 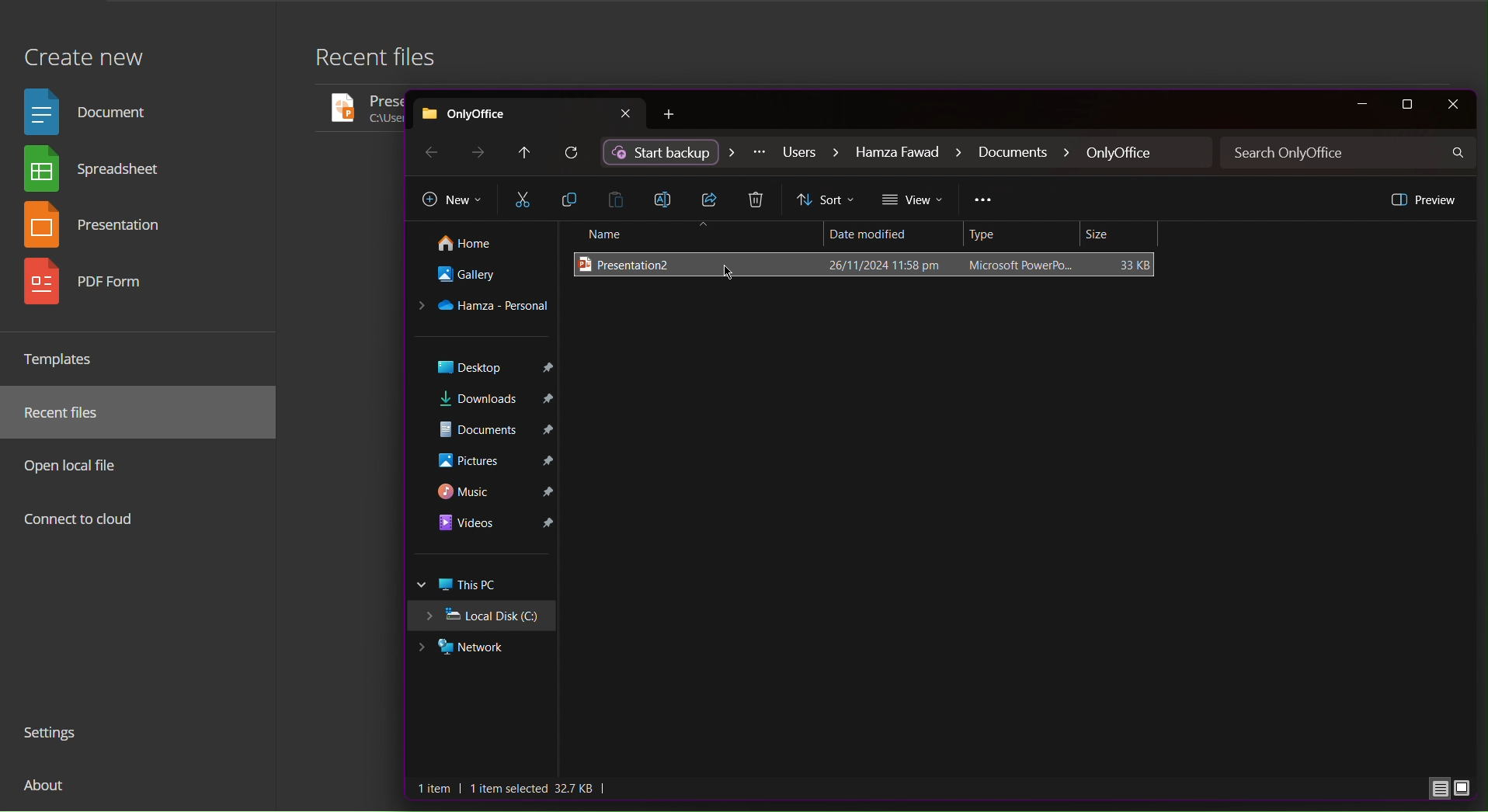 I want to click on Size, so click(x=1121, y=234).